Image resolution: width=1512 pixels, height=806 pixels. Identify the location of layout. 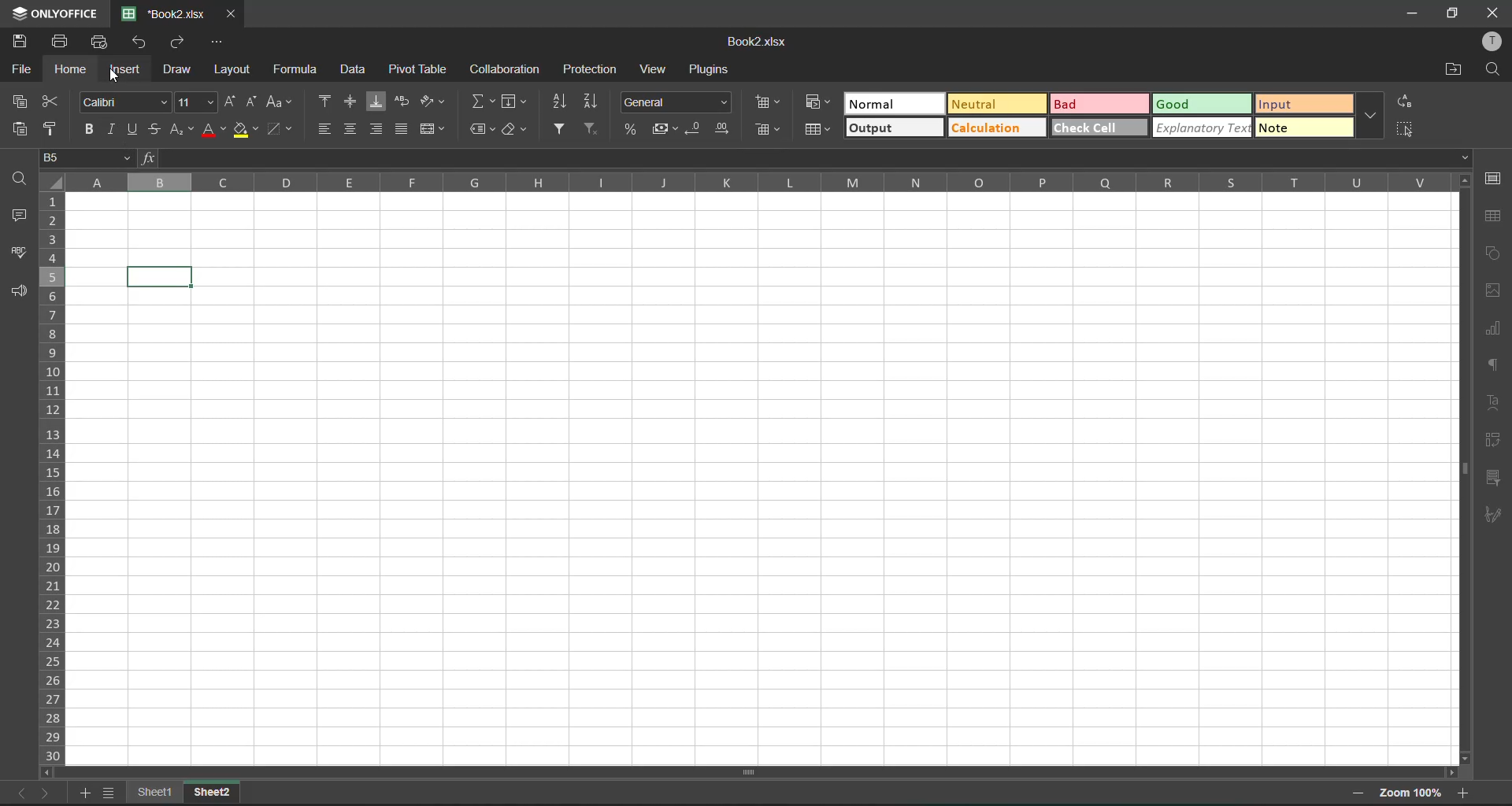
(232, 70).